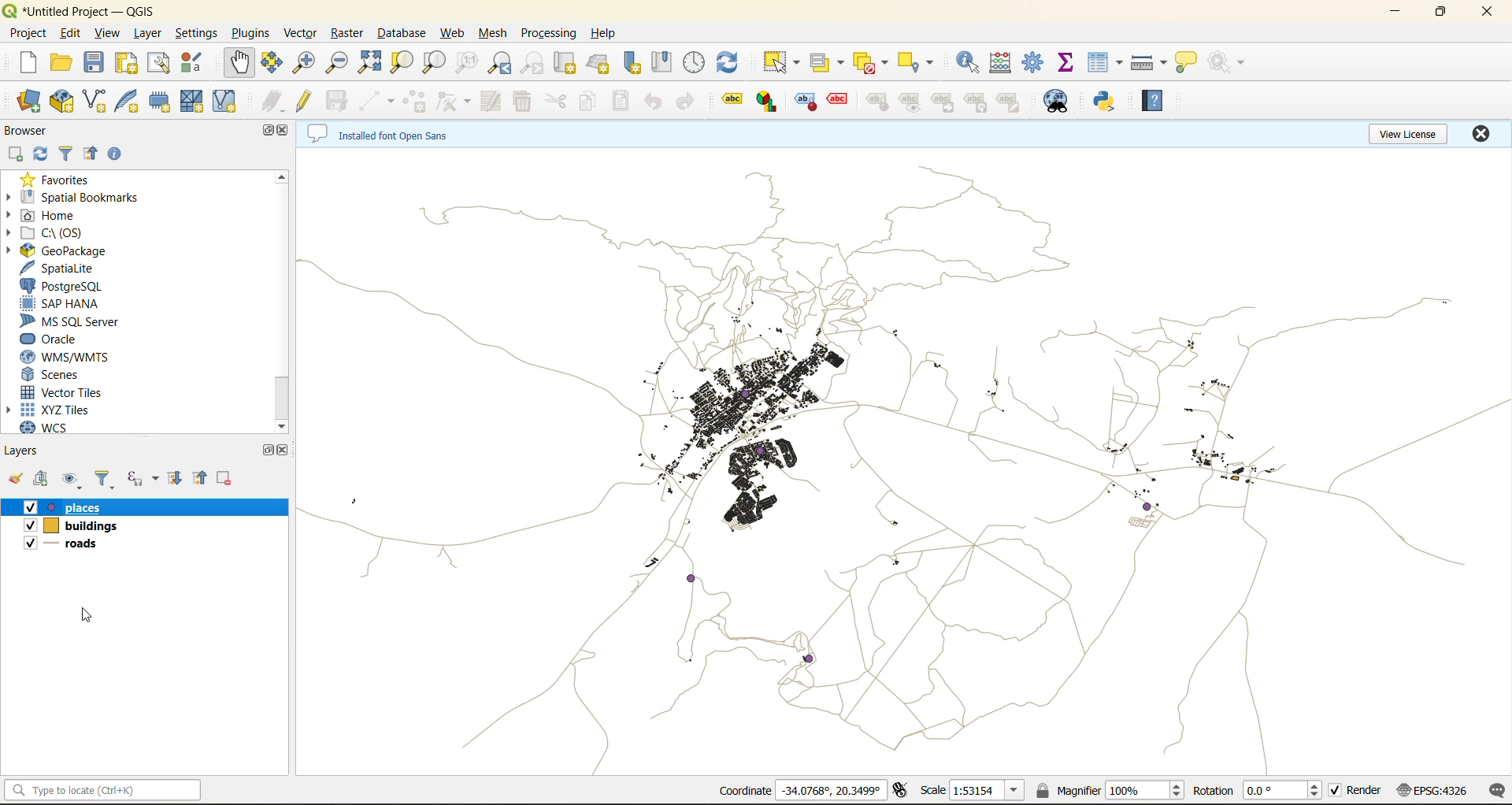 The height and width of the screenshot is (805, 1512). What do you see at coordinates (88, 507) in the screenshot?
I see `layers` at bounding box center [88, 507].